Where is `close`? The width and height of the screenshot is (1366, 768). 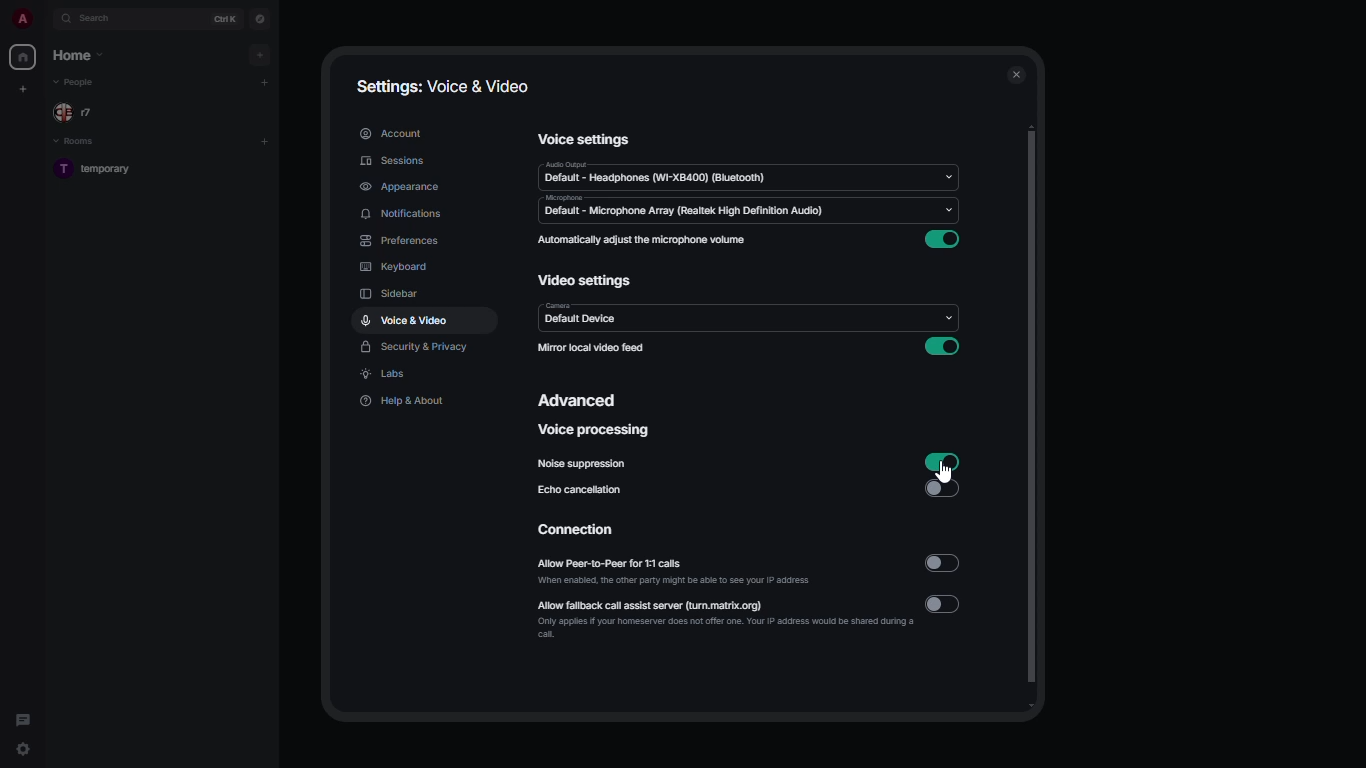 close is located at coordinates (1014, 74).